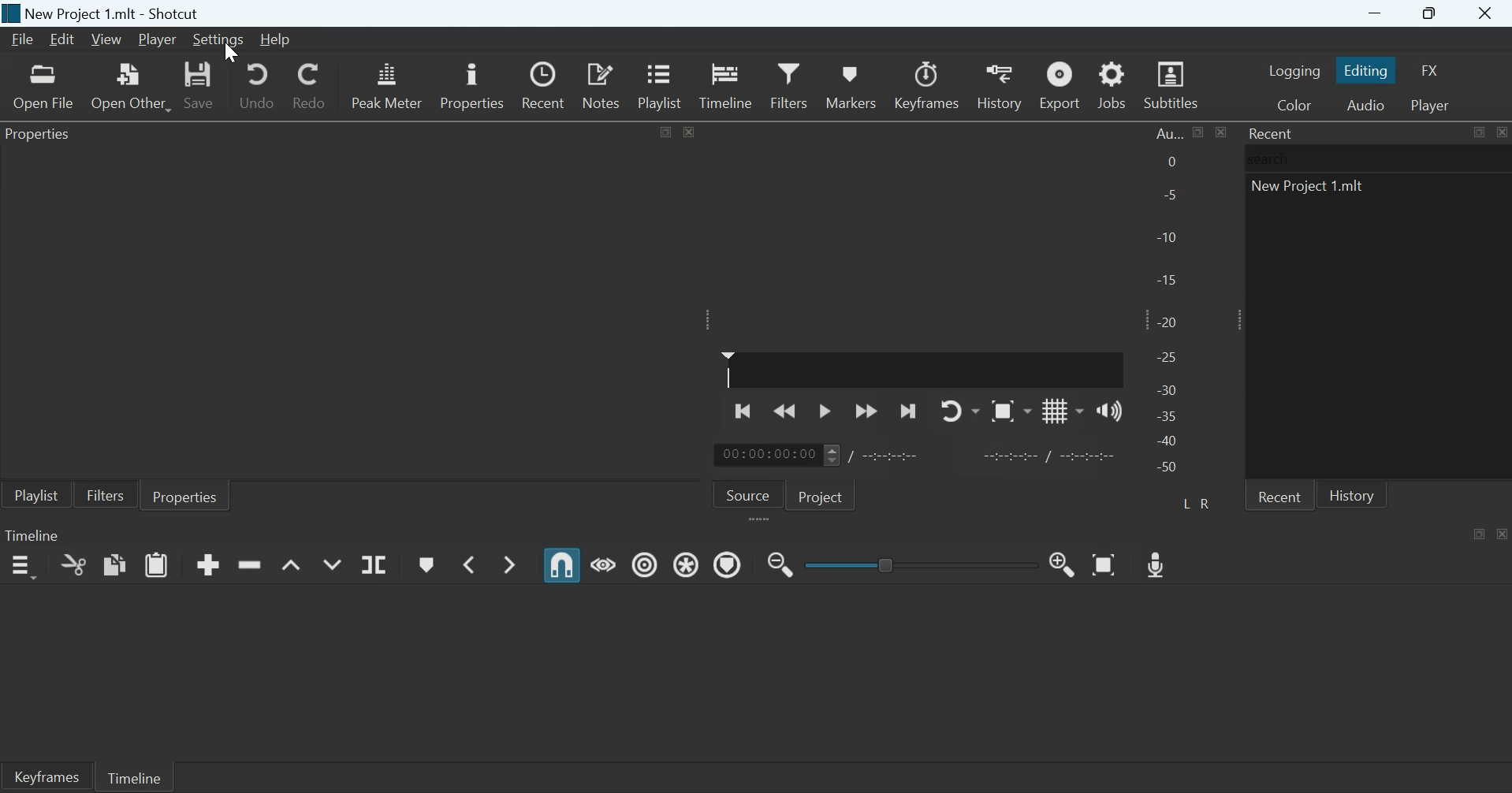 The width and height of the screenshot is (1512, 793). What do you see at coordinates (44, 87) in the screenshot?
I see `Open a video, audio, image or project file` at bounding box center [44, 87].